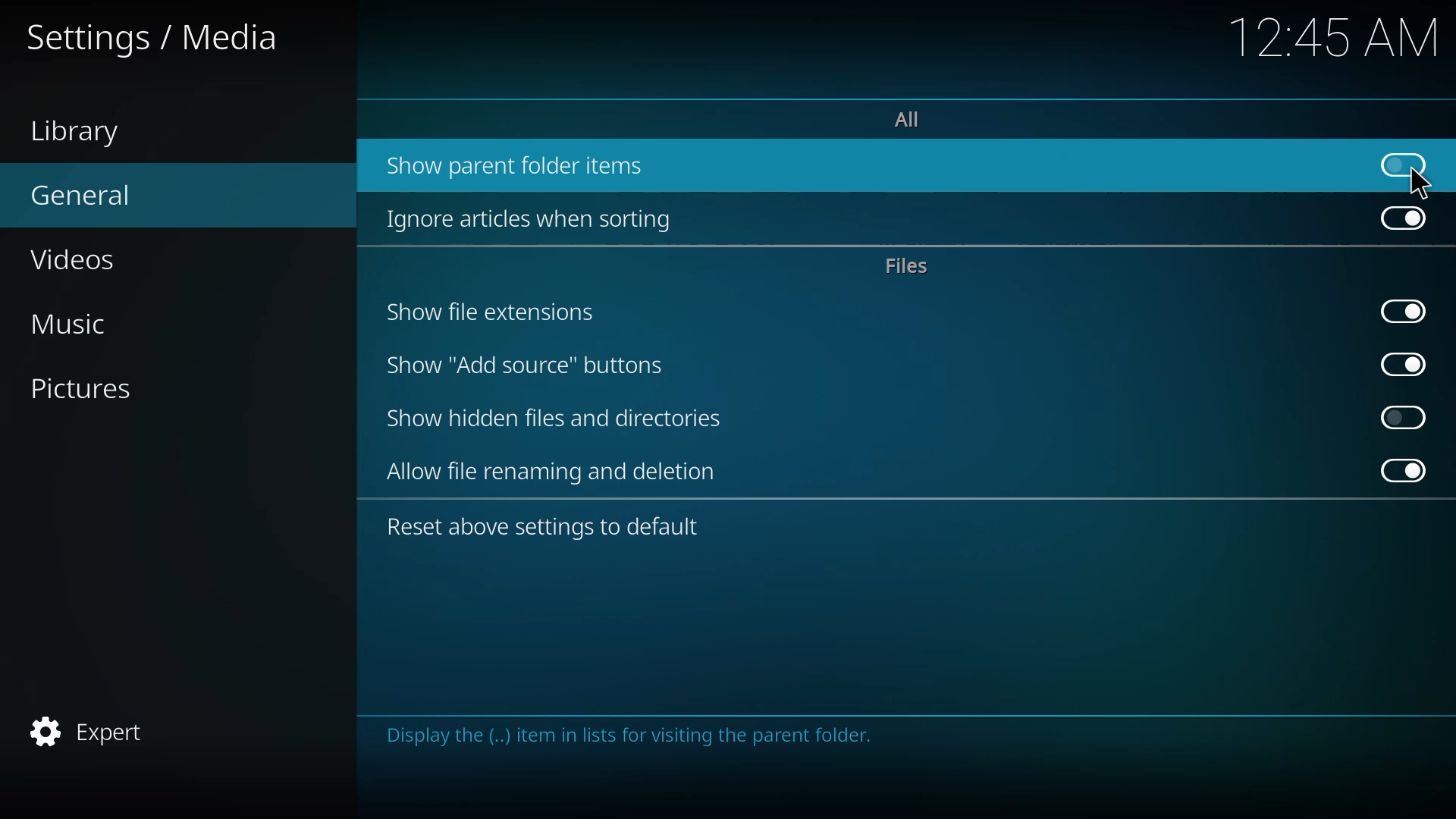 Image resolution: width=1456 pixels, height=819 pixels. I want to click on disabled, so click(1406, 163).